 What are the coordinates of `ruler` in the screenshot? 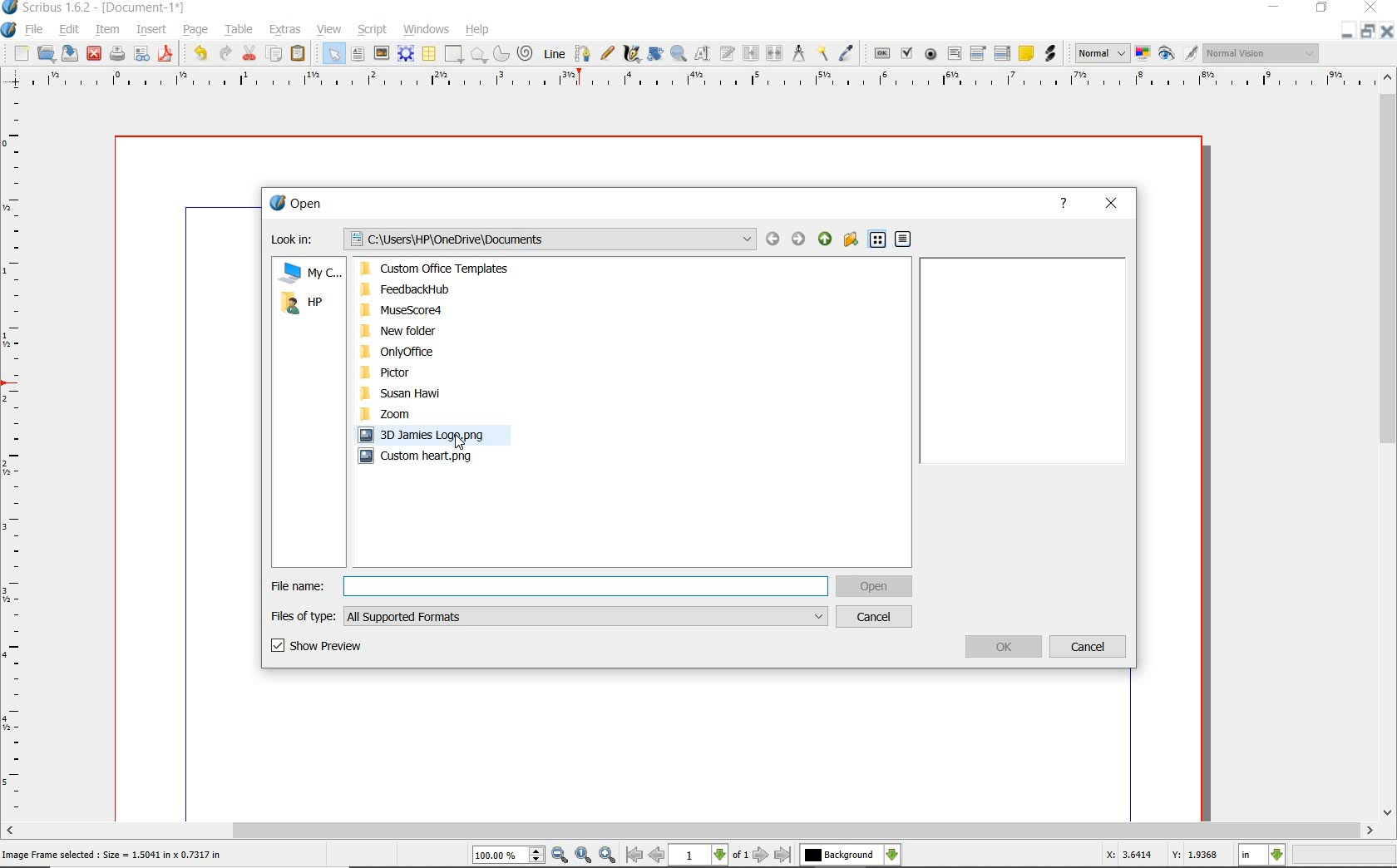 It's located at (706, 80).